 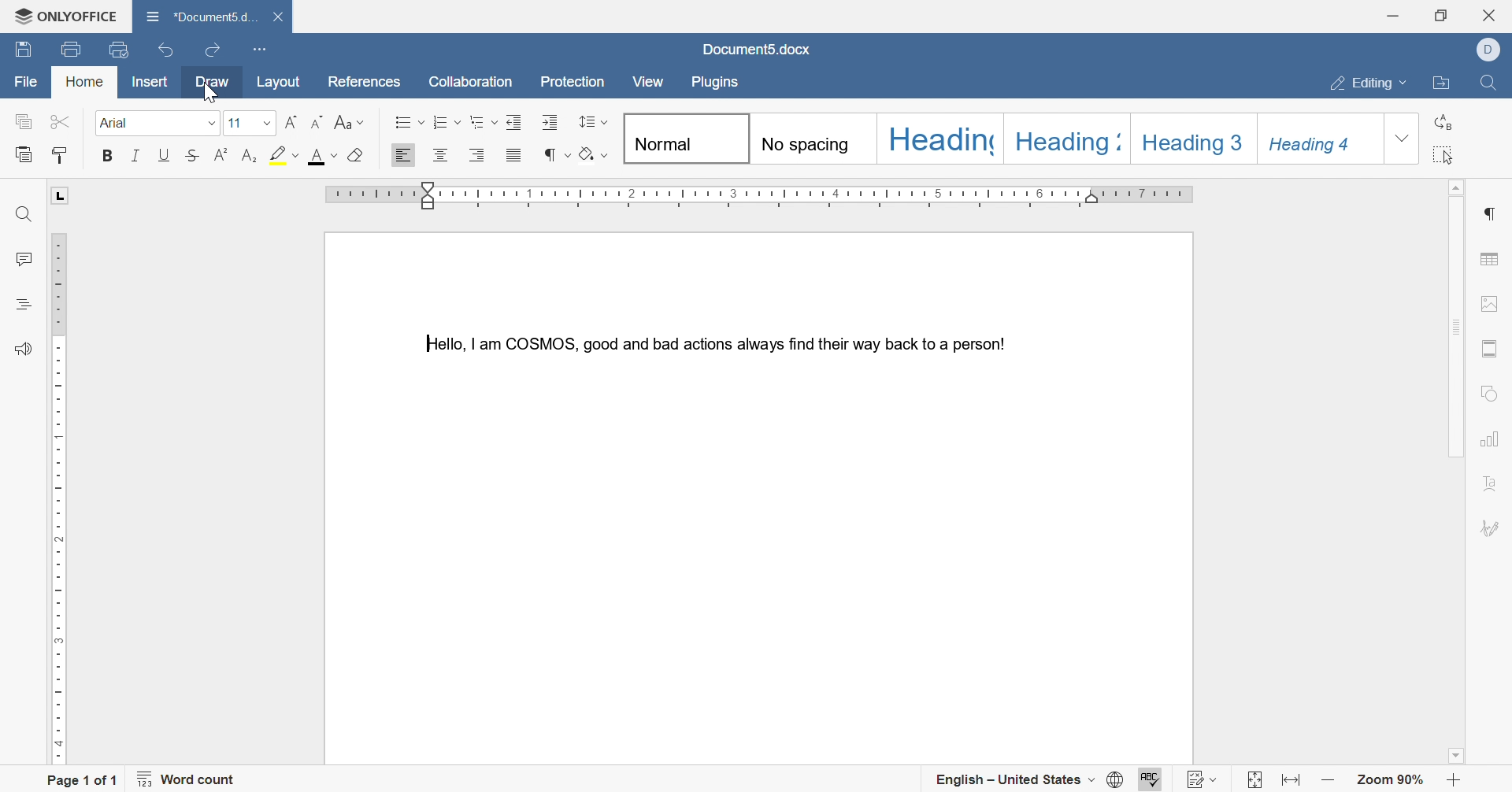 What do you see at coordinates (62, 154) in the screenshot?
I see `copy style` at bounding box center [62, 154].